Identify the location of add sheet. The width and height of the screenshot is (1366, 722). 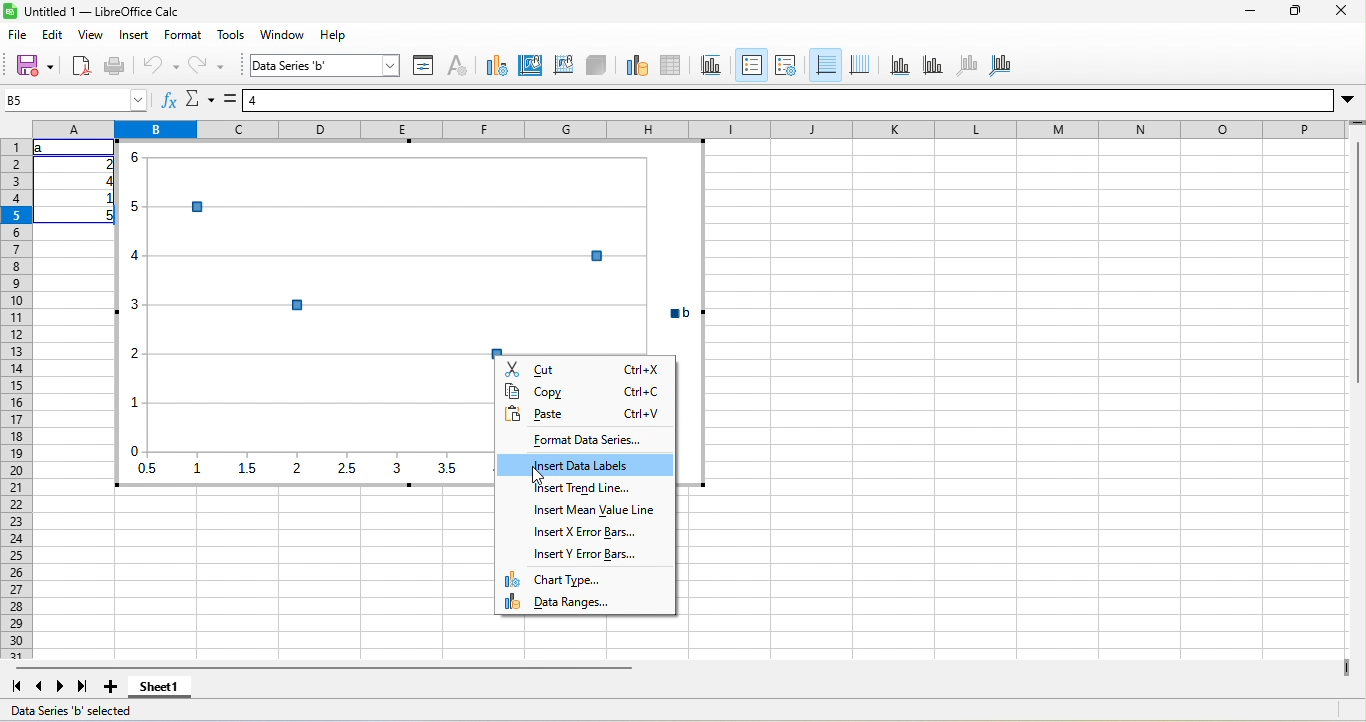
(111, 686).